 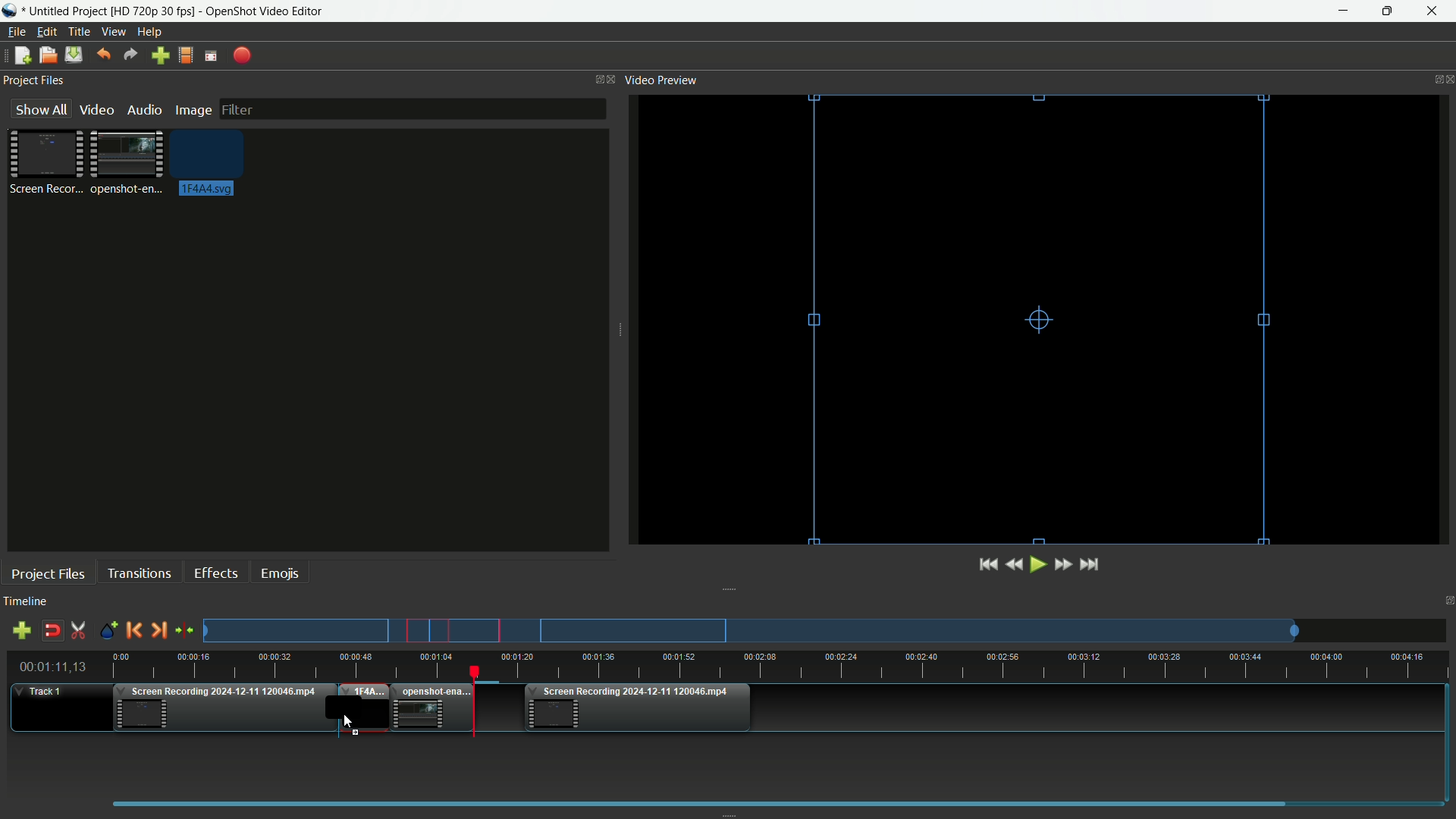 What do you see at coordinates (57, 667) in the screenshot?
I see `Current time` at bounding box center [57, 667].